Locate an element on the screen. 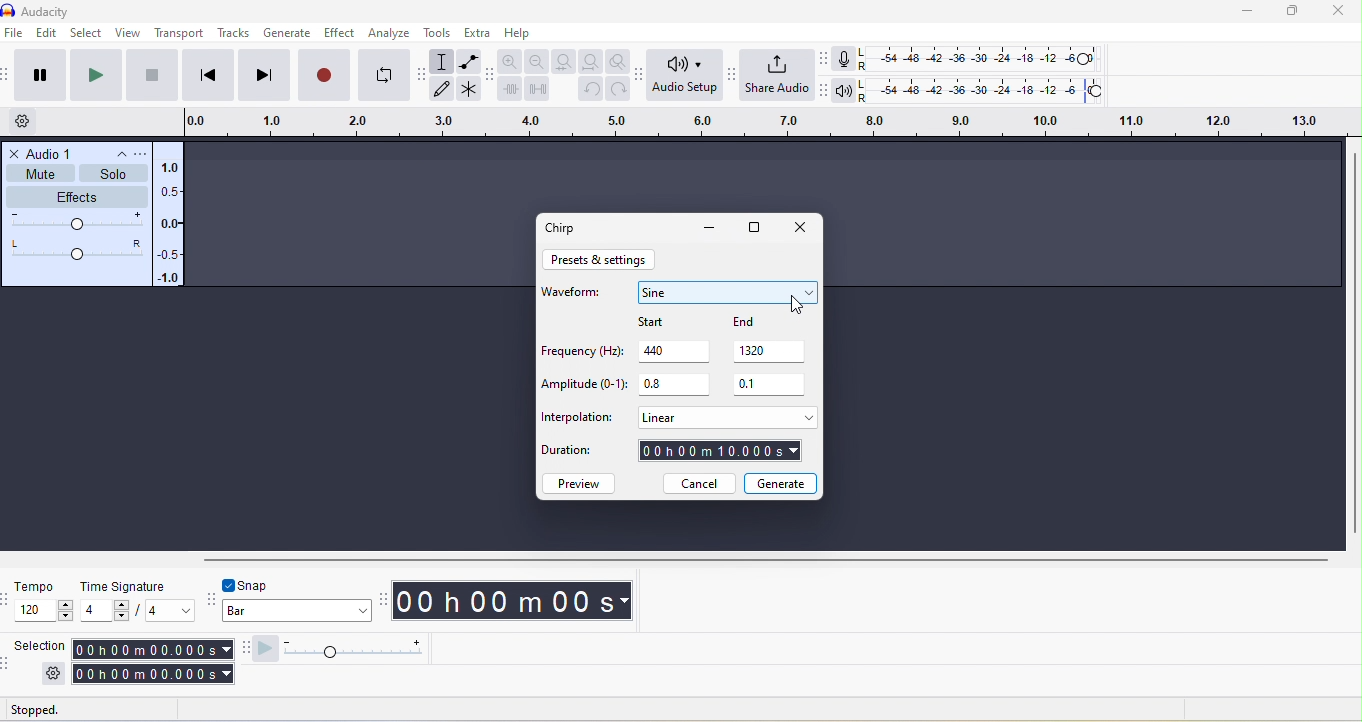  audacity time toolbar is located at coordinates (384, 598).